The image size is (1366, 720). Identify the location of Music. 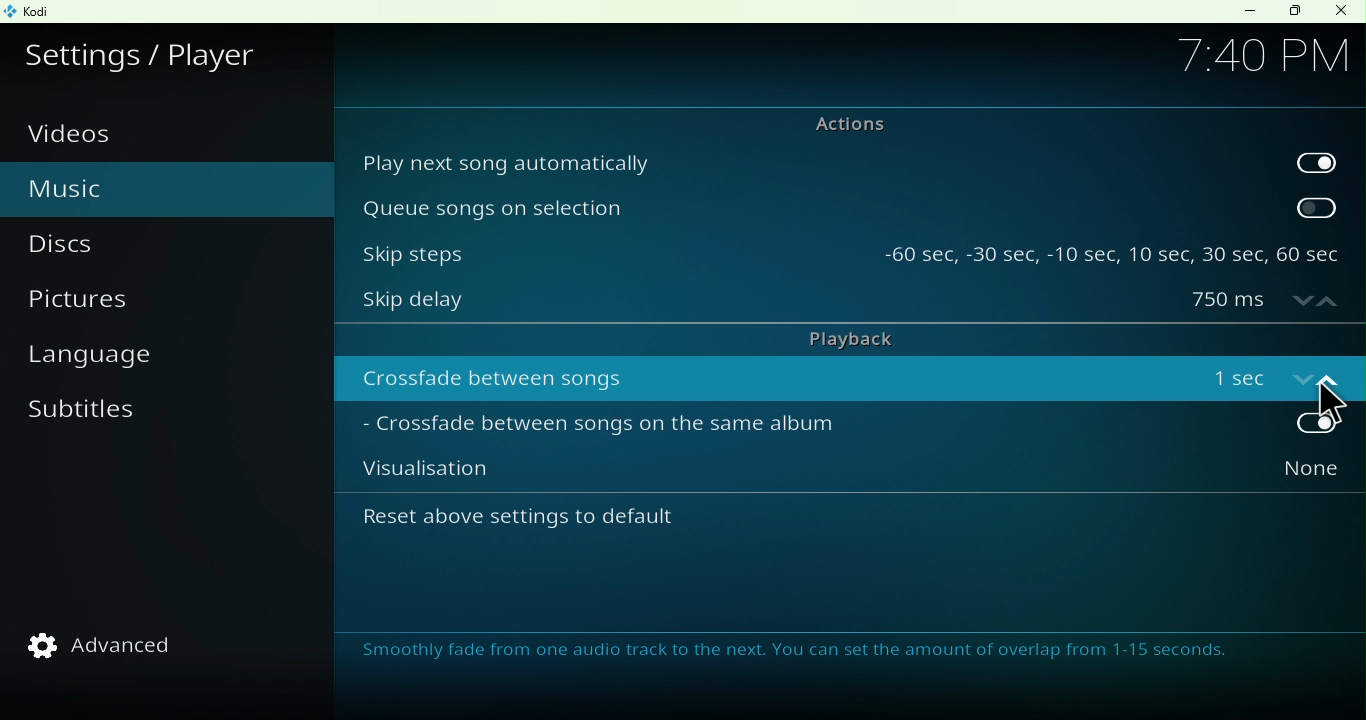
(112, 186).